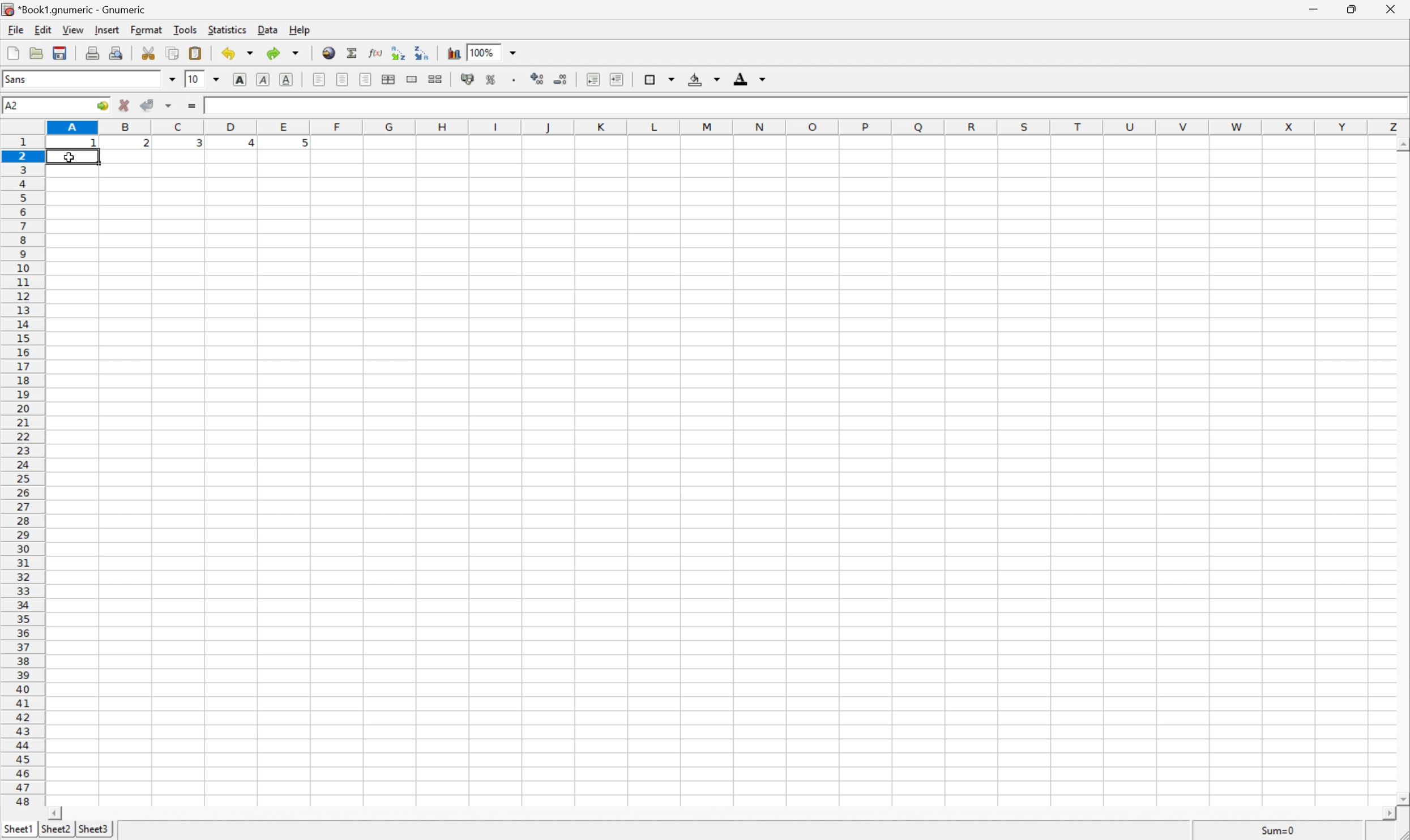  Describe the element at coordinates (194, 80) in the screenshot. I see `10` at that location.